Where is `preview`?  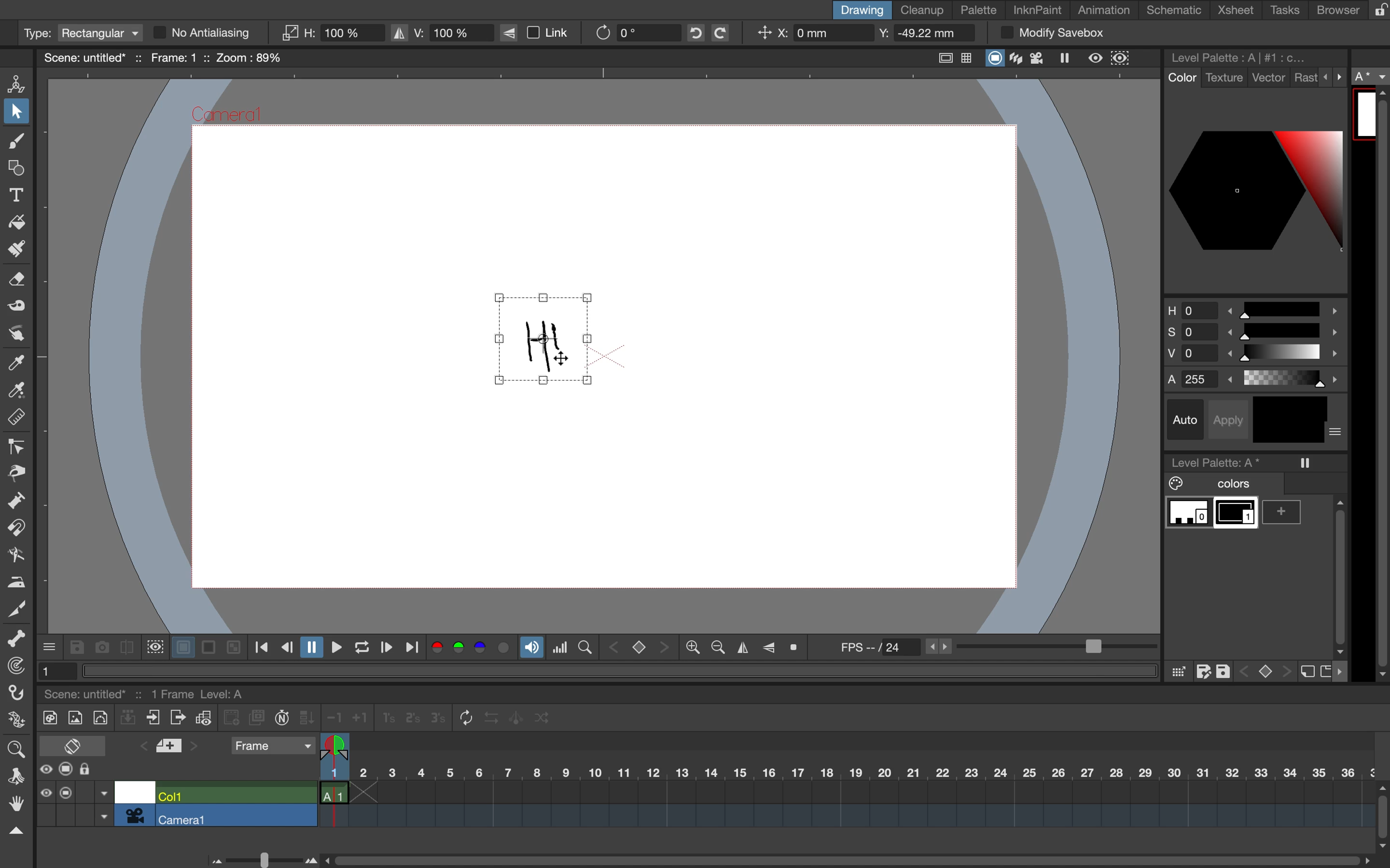
preview is located at coordinates (1096, 57).